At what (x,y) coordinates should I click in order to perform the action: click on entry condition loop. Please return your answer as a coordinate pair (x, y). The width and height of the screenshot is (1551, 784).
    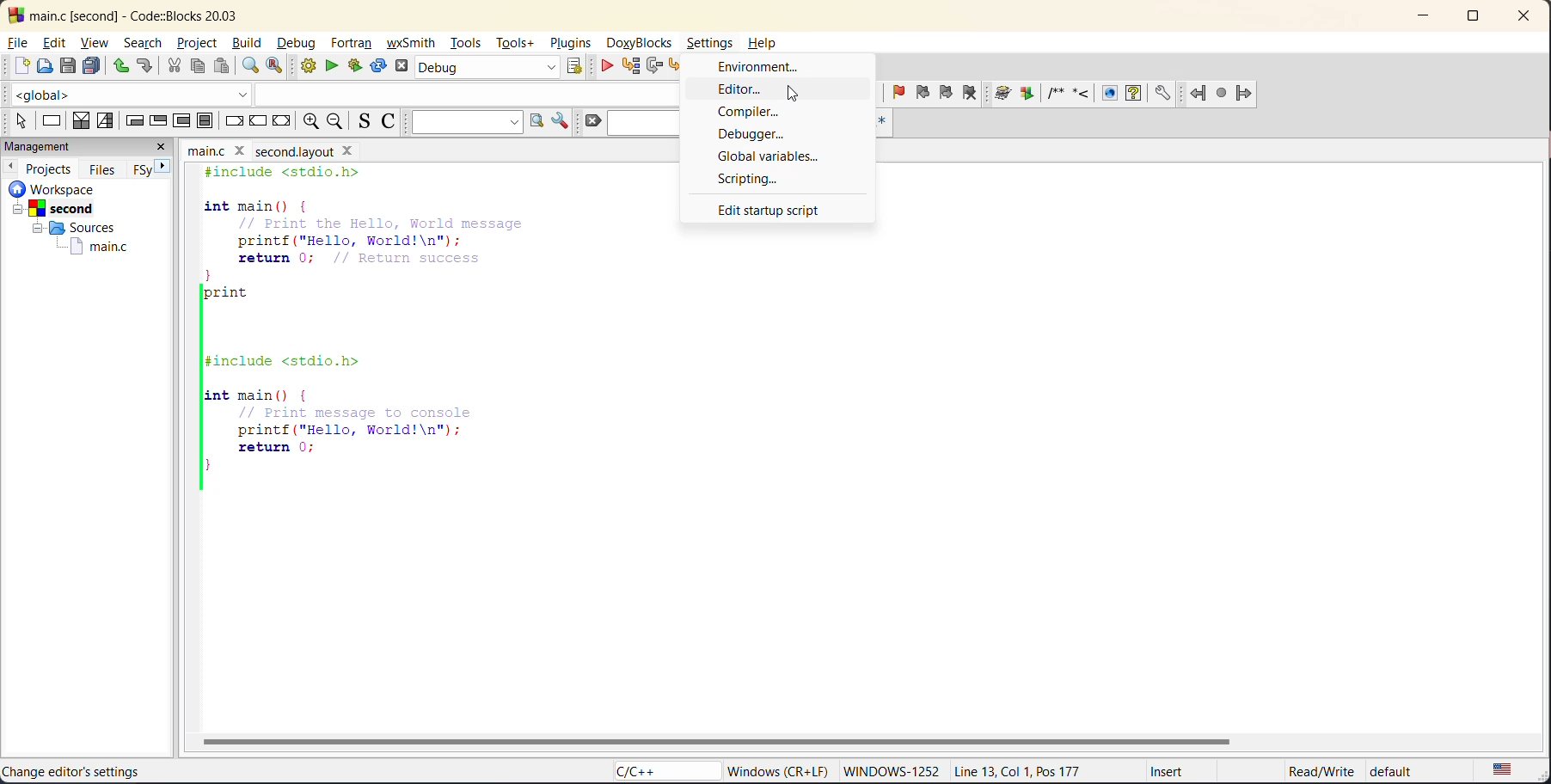
    Looking at the image, I should click on (133, 119).